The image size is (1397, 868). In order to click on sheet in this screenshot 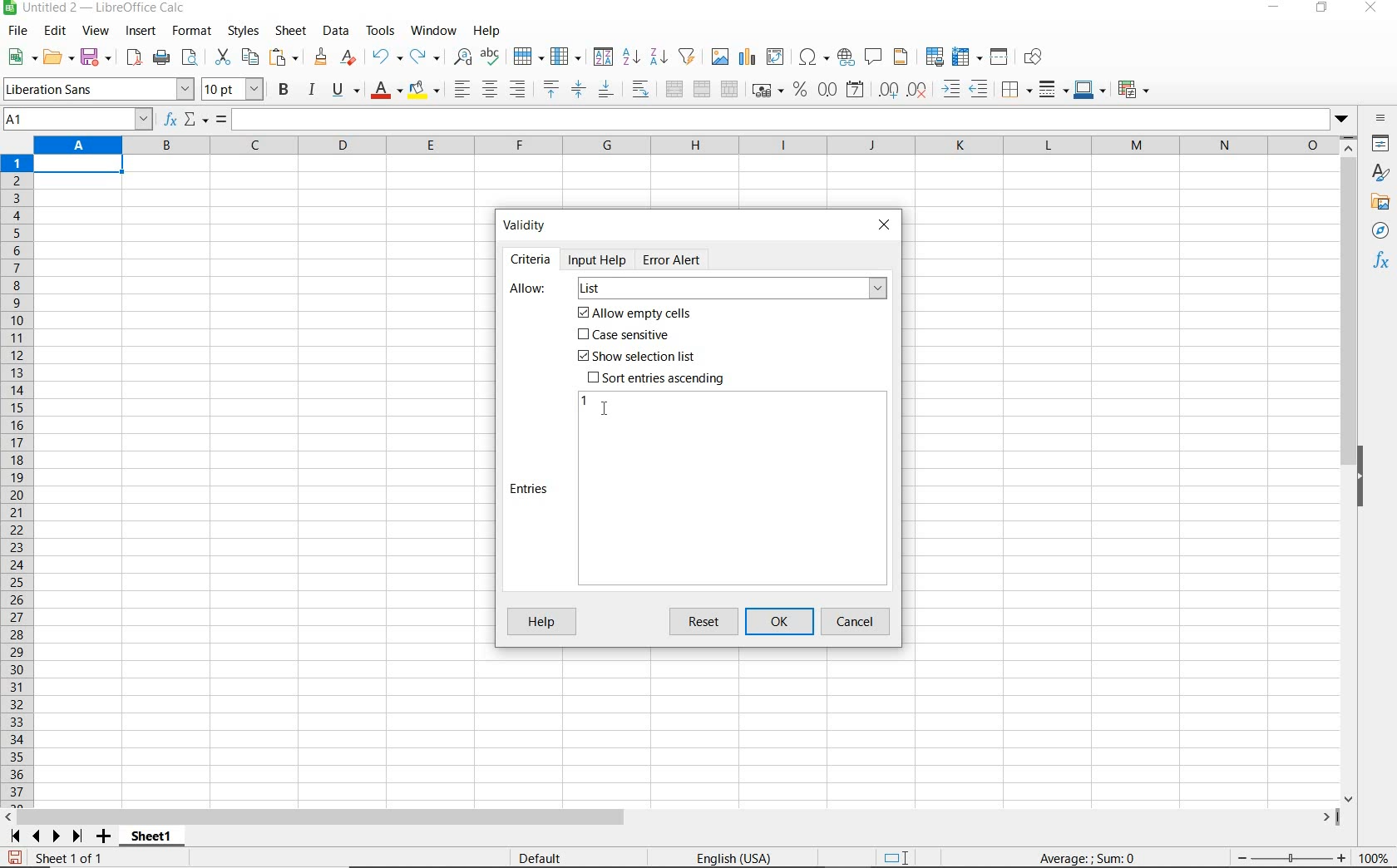, I will do `click(292, 32)`.